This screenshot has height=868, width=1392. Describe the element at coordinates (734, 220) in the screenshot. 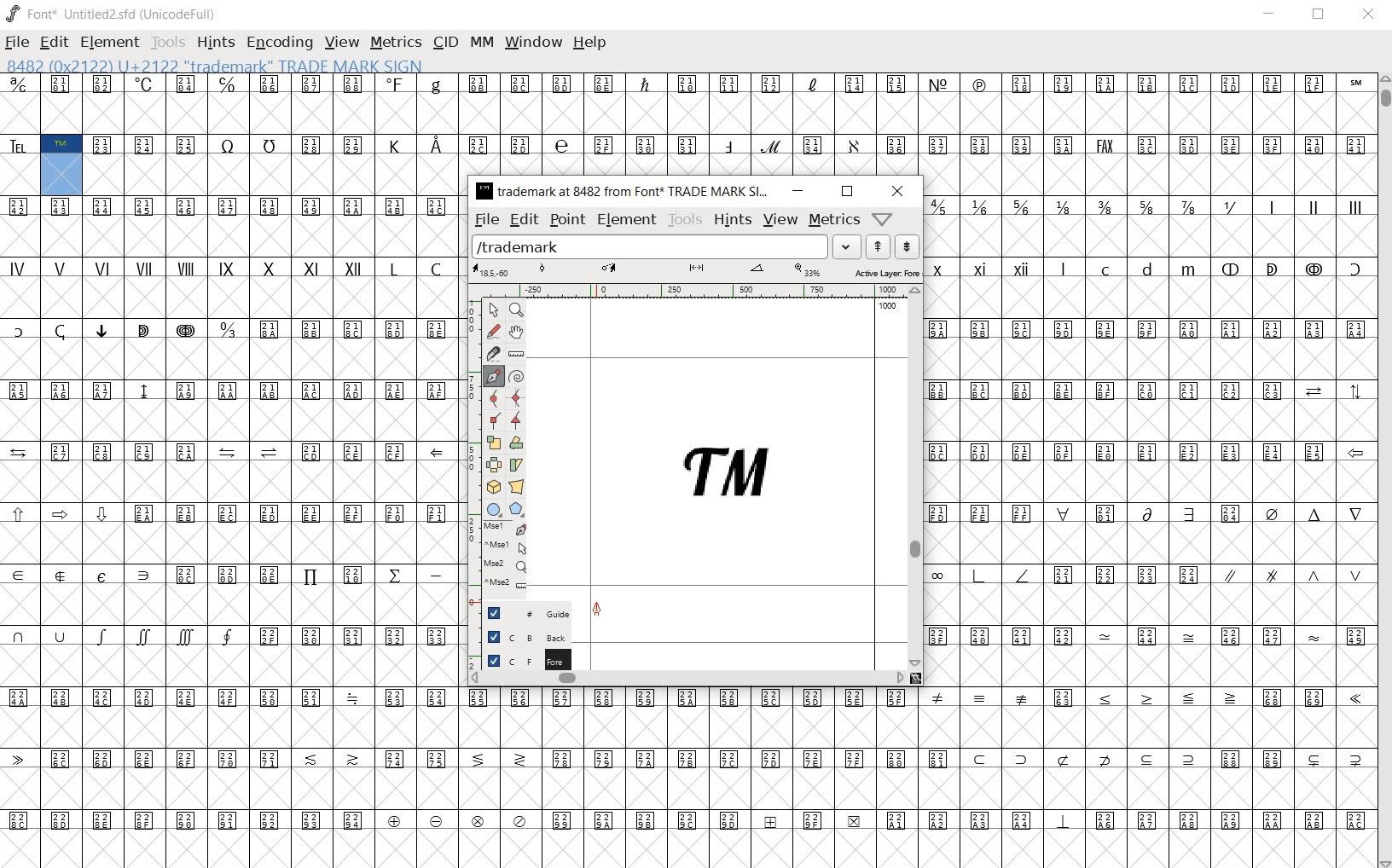

I see `hints` at that location.